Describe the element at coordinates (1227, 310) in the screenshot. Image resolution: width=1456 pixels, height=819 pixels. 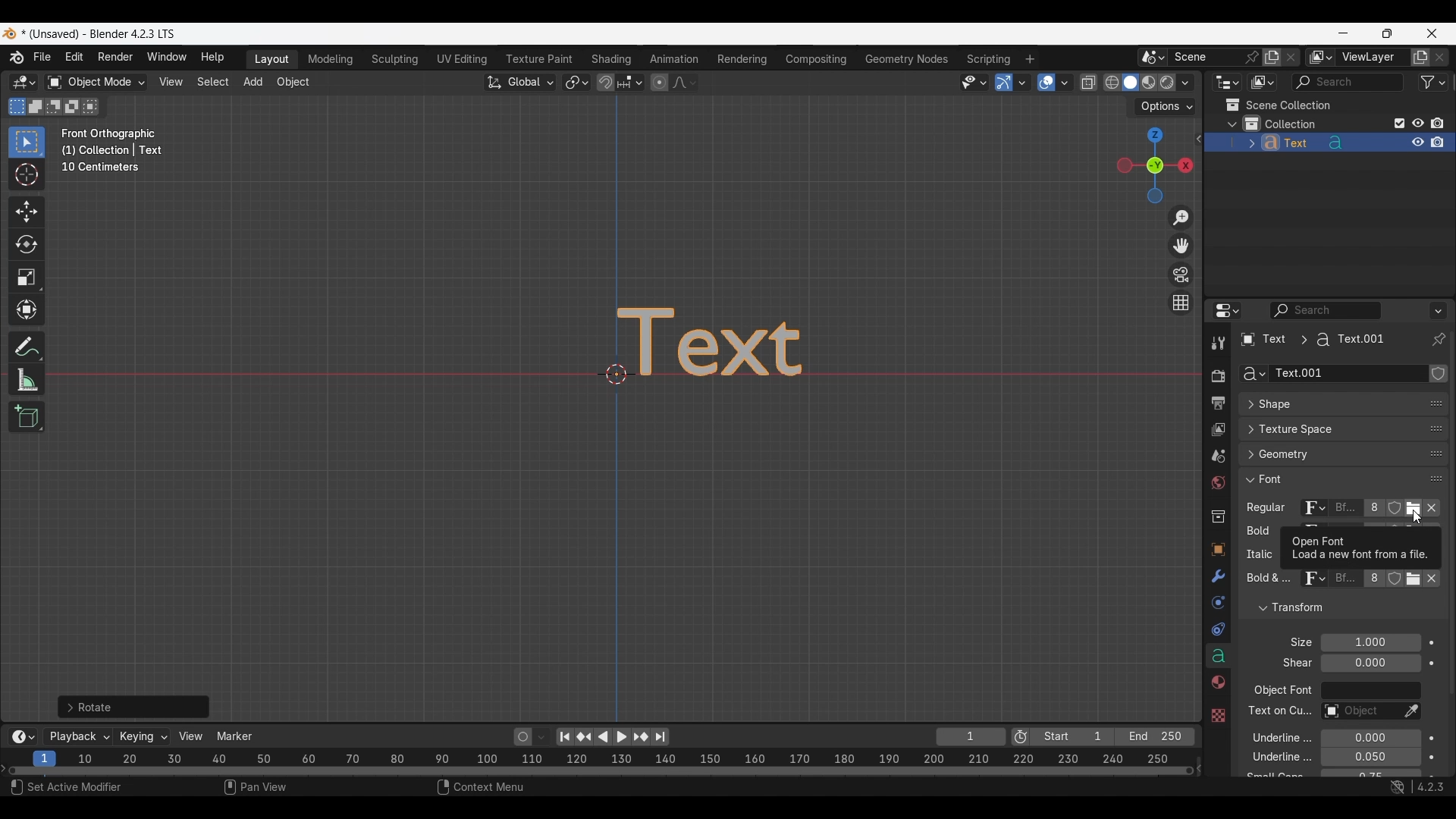
I see `Editor type` at that location.